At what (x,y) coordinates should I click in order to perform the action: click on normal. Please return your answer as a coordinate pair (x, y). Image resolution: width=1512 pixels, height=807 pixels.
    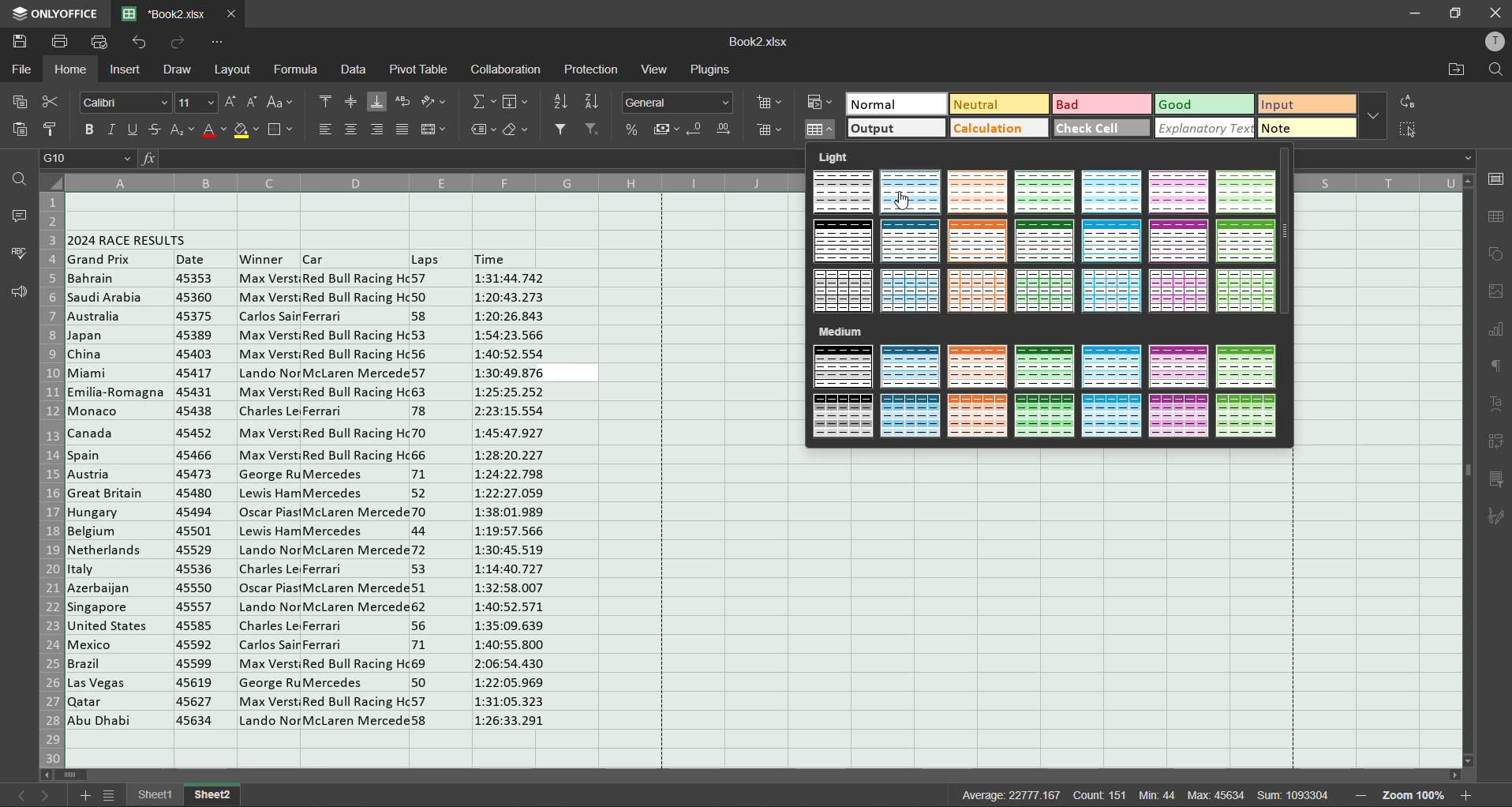
    Looking at the image, I should click on (897, 105).